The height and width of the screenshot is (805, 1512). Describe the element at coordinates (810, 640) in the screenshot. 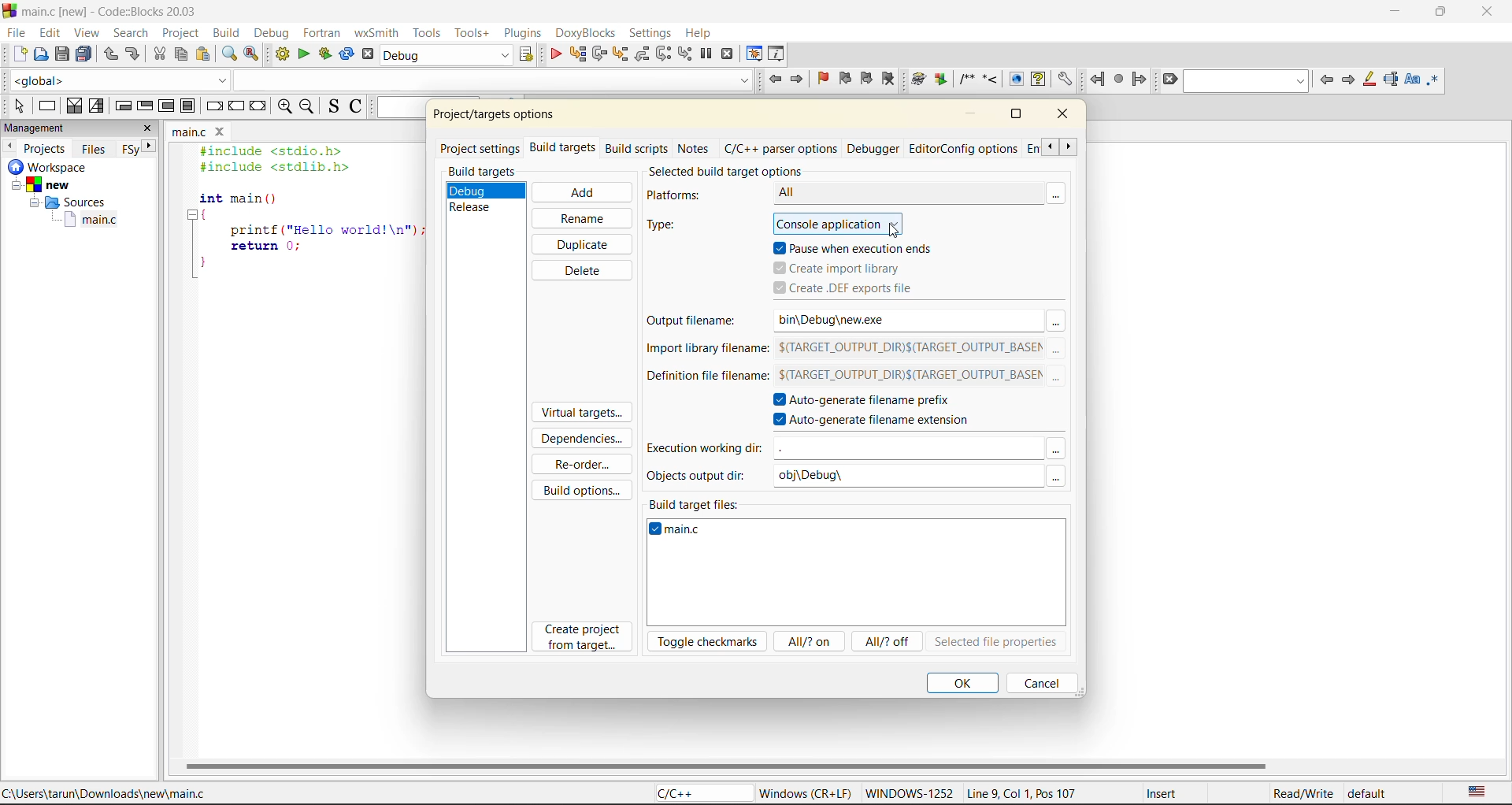

I see `all/? on` at that location.